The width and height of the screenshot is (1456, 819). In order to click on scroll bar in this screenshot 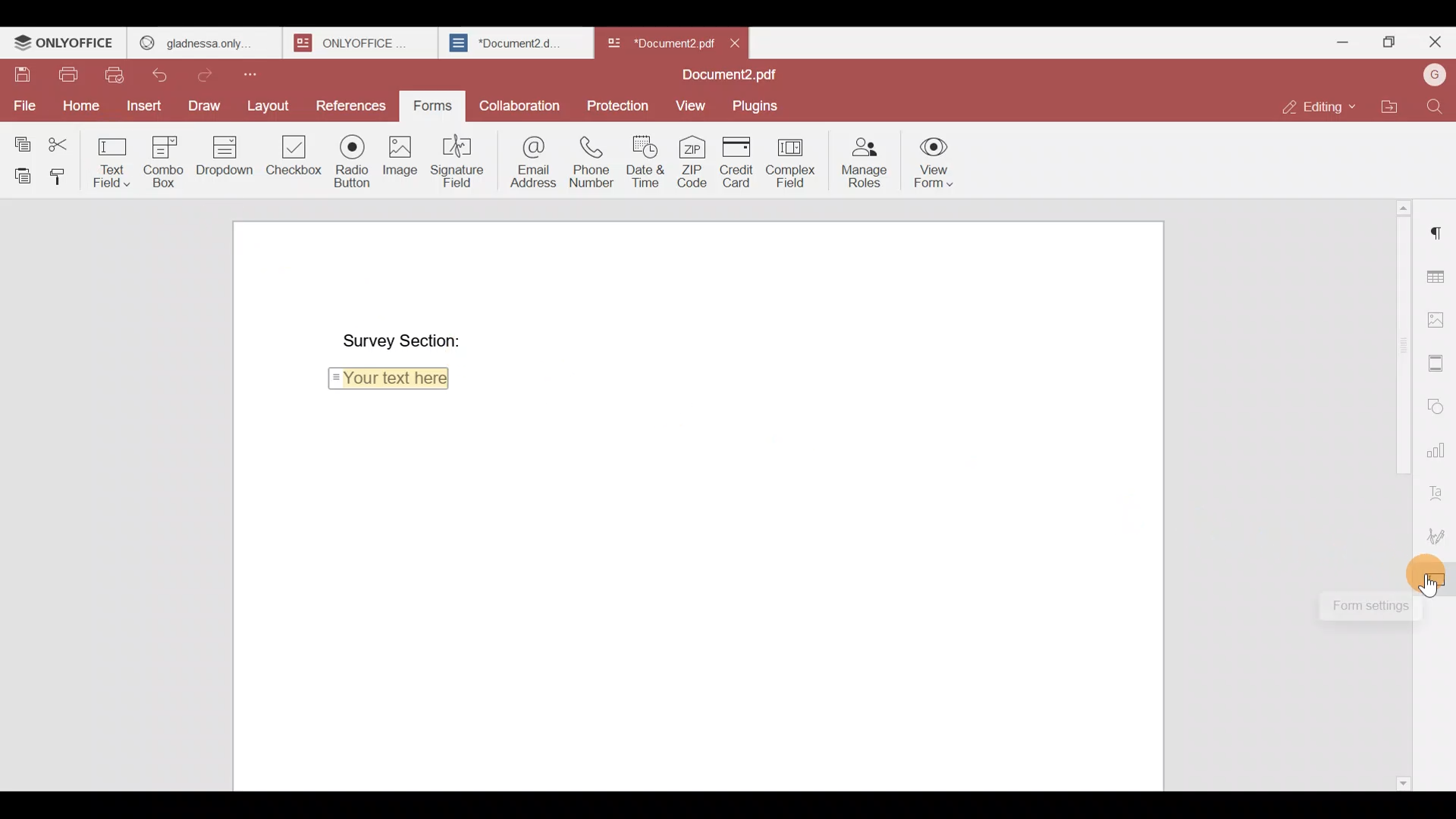, I will do `click(1397, 344)`.